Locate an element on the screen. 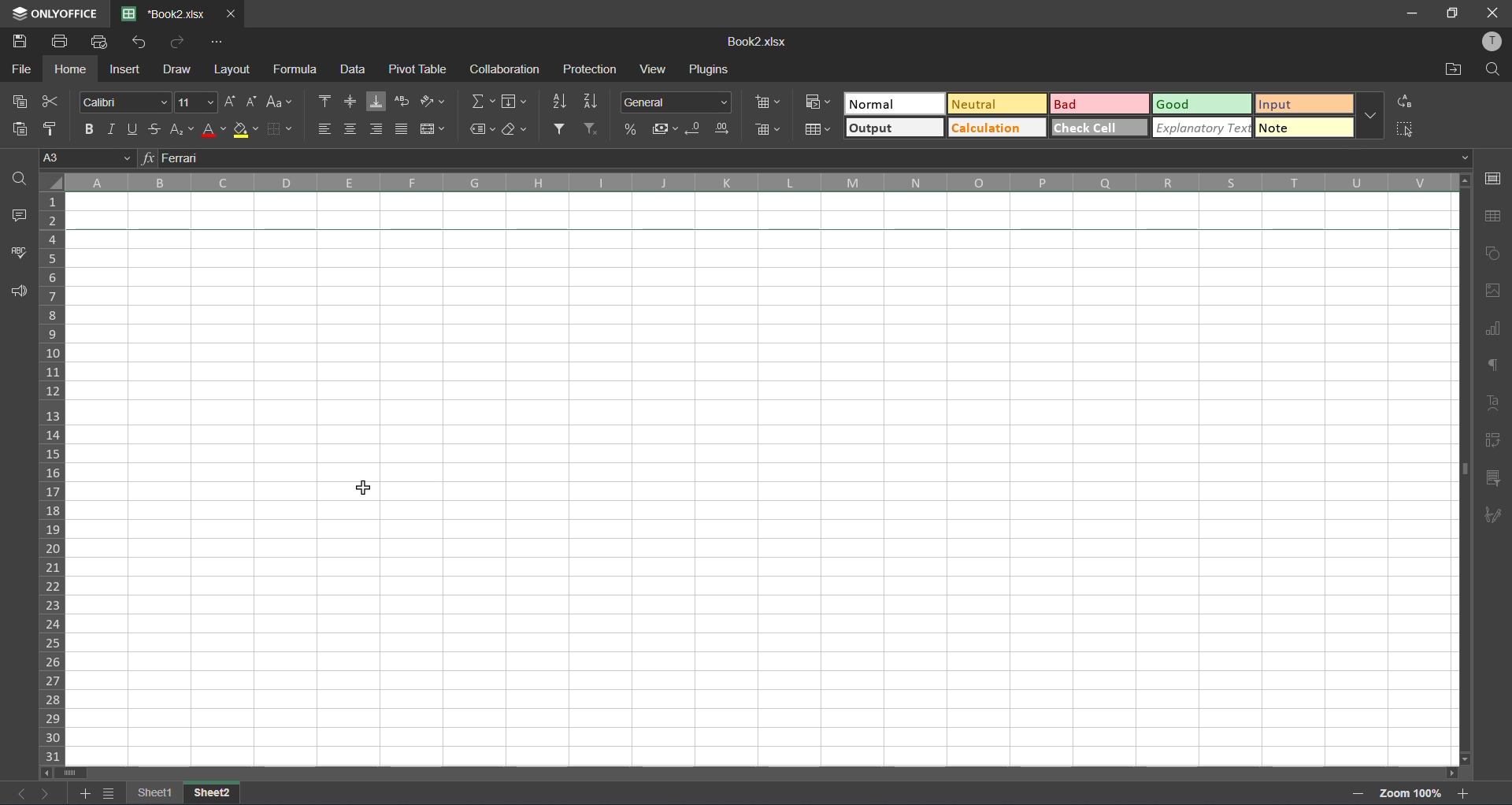 This screenshot has width=1512, height=805. number format is located at coordinates (675, 101).